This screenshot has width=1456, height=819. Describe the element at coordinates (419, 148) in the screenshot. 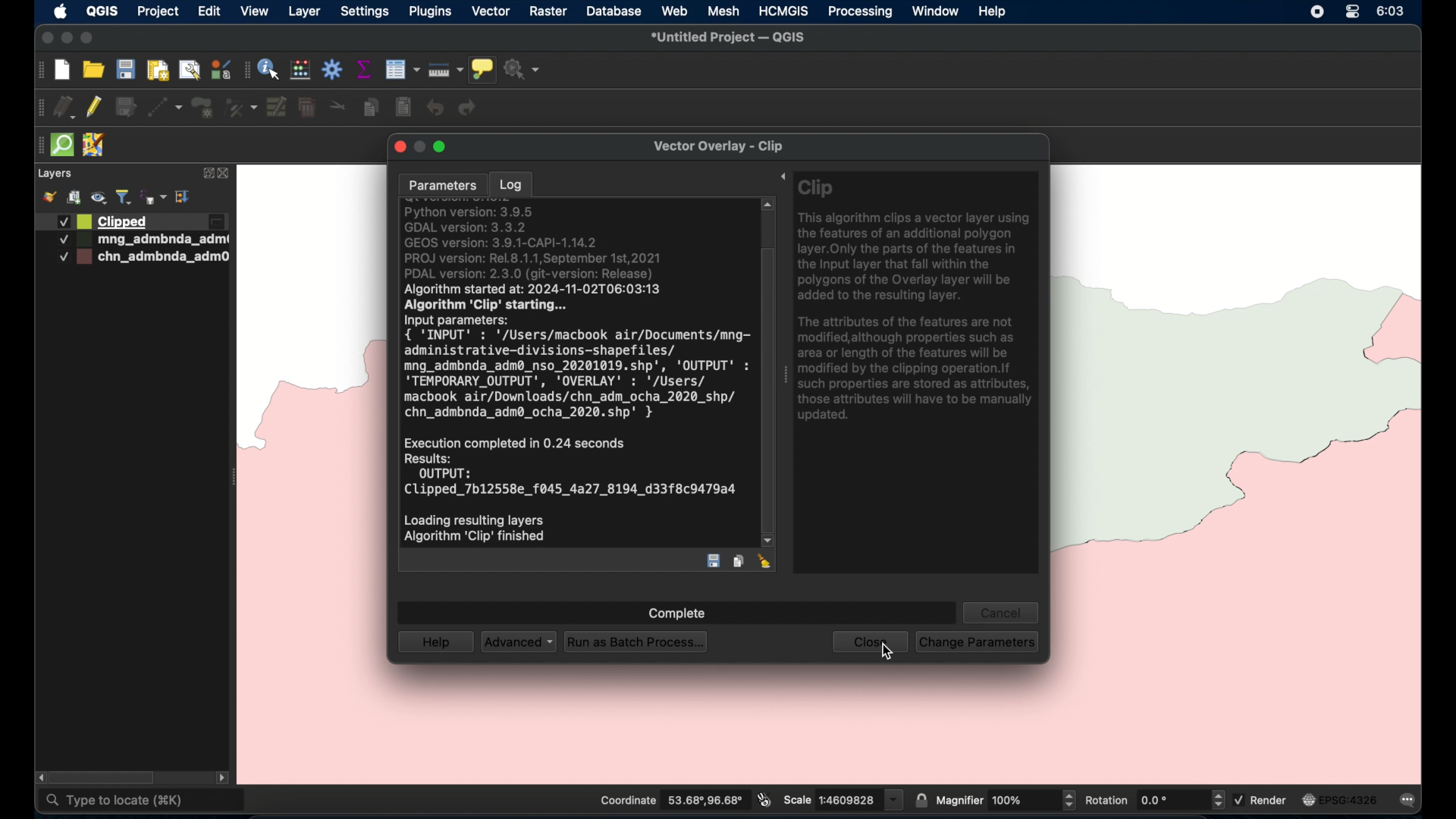

I see `inactive minimize button` at that location.